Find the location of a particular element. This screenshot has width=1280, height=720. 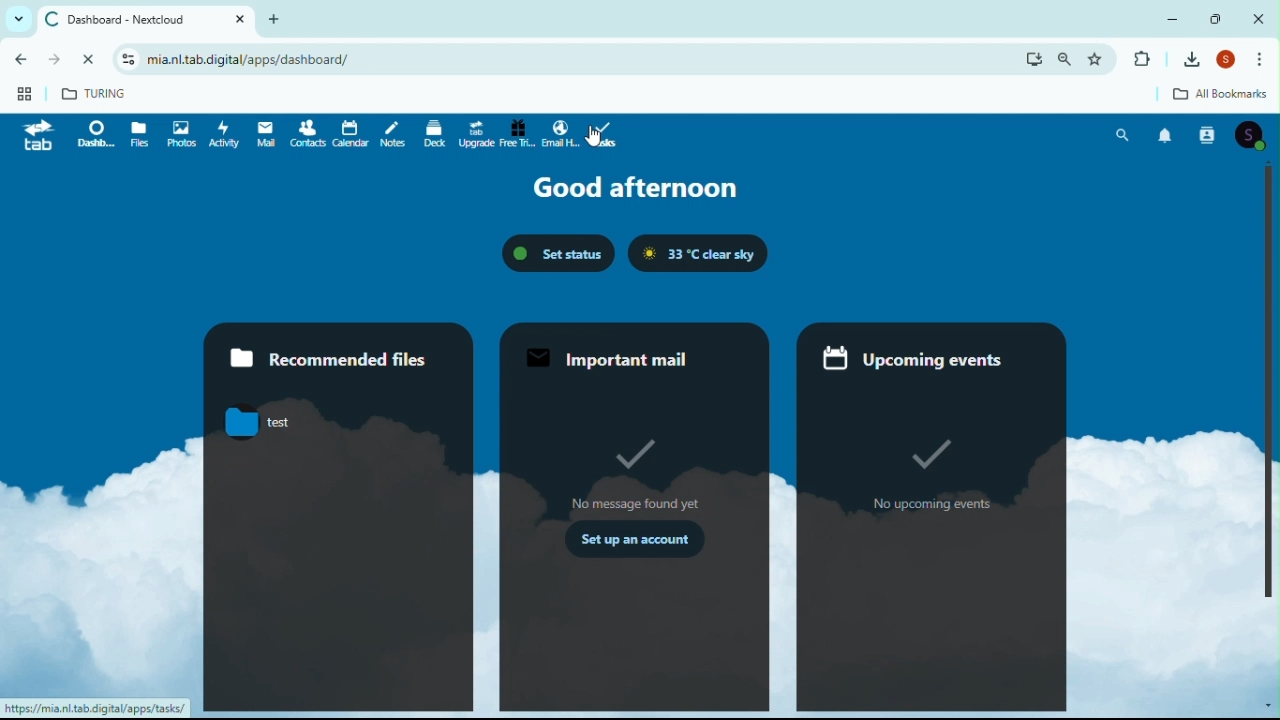

deck is located at coordinates (438, 136).